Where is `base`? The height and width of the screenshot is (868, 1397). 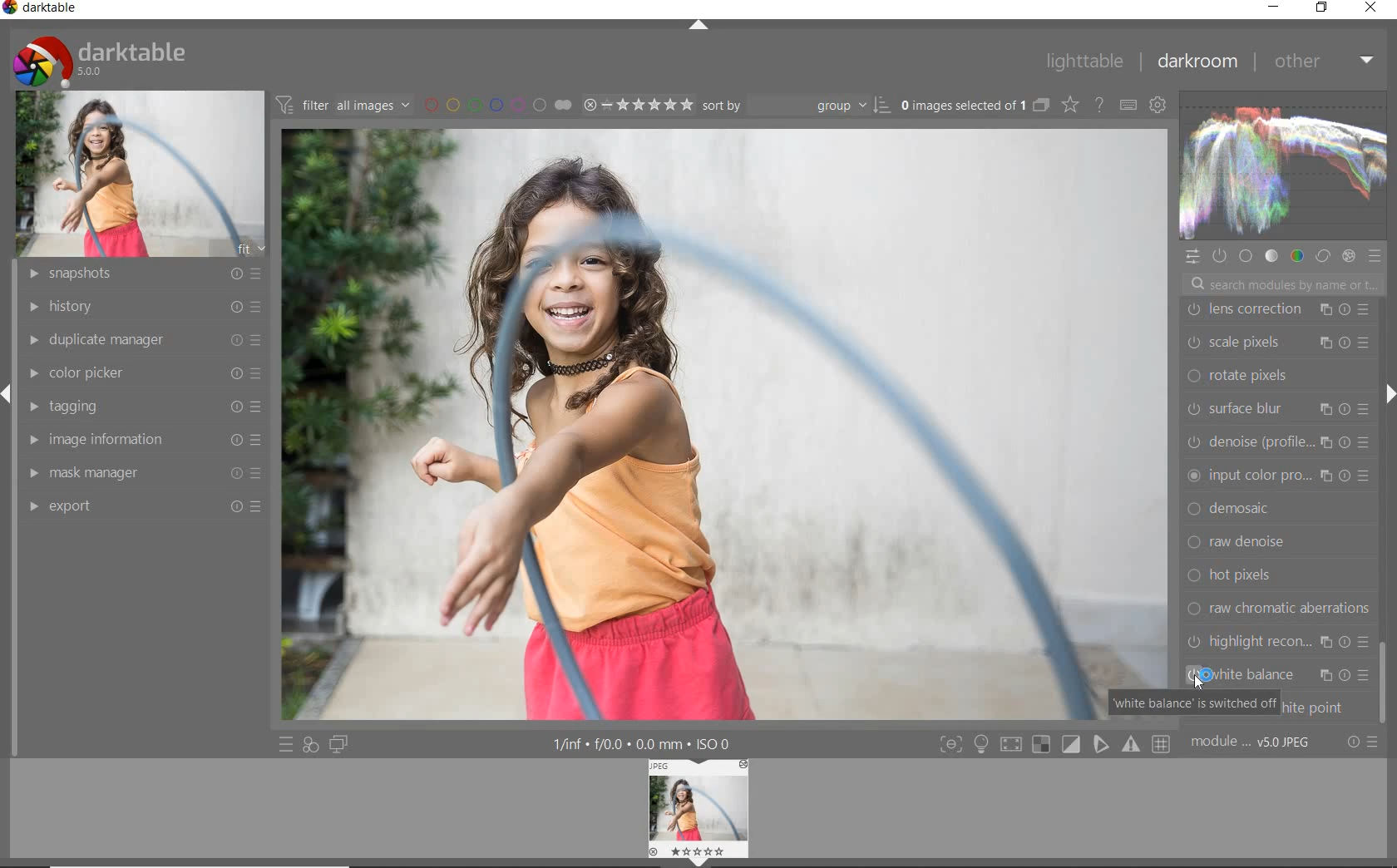
base is located at coordinates (1247, 258).